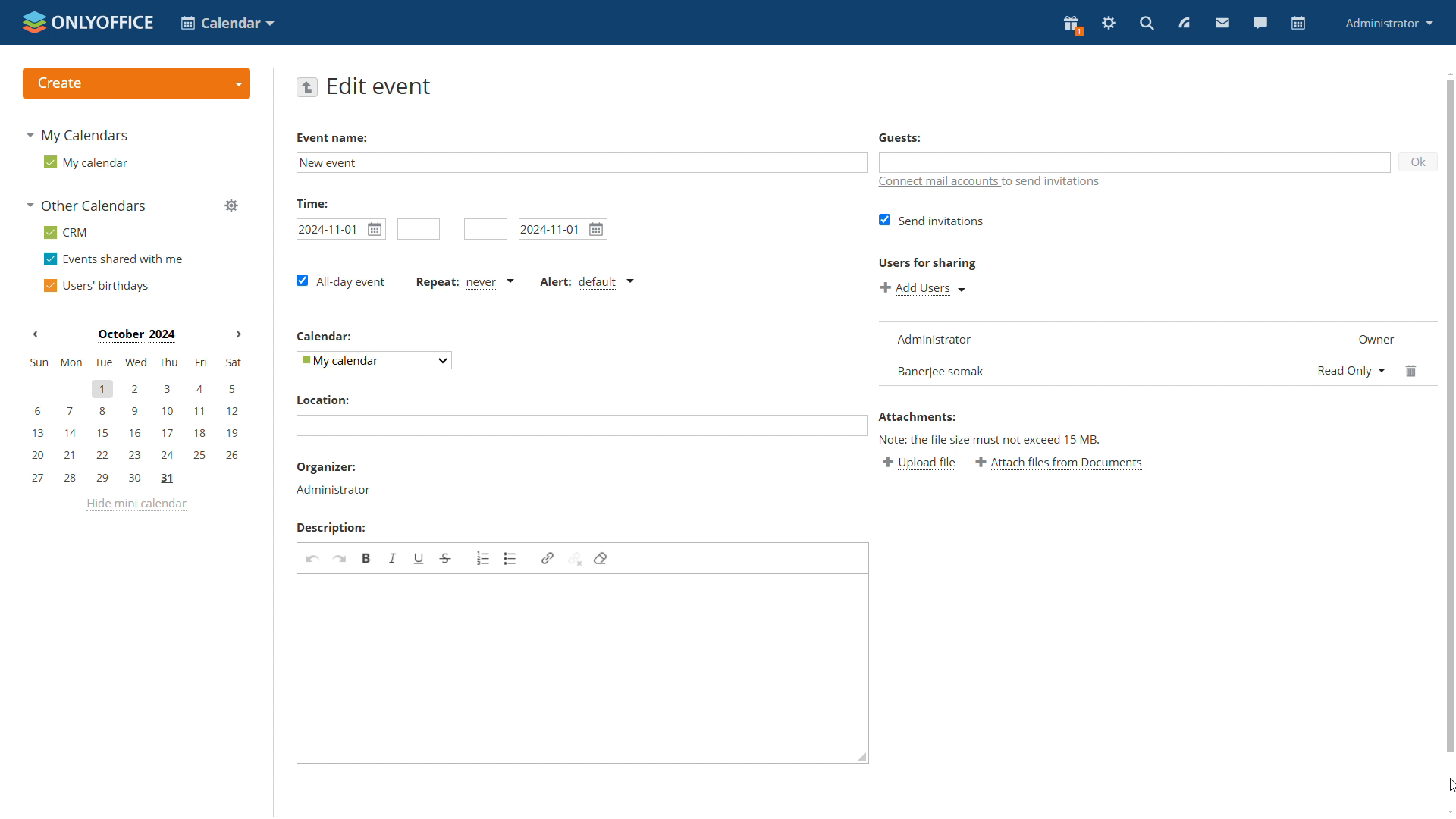 Image resolution: width=1456 pixels, height=819 pixels. Describe the element at coordinates (325, 469) in the screenshot. I see `organiser` at that location.